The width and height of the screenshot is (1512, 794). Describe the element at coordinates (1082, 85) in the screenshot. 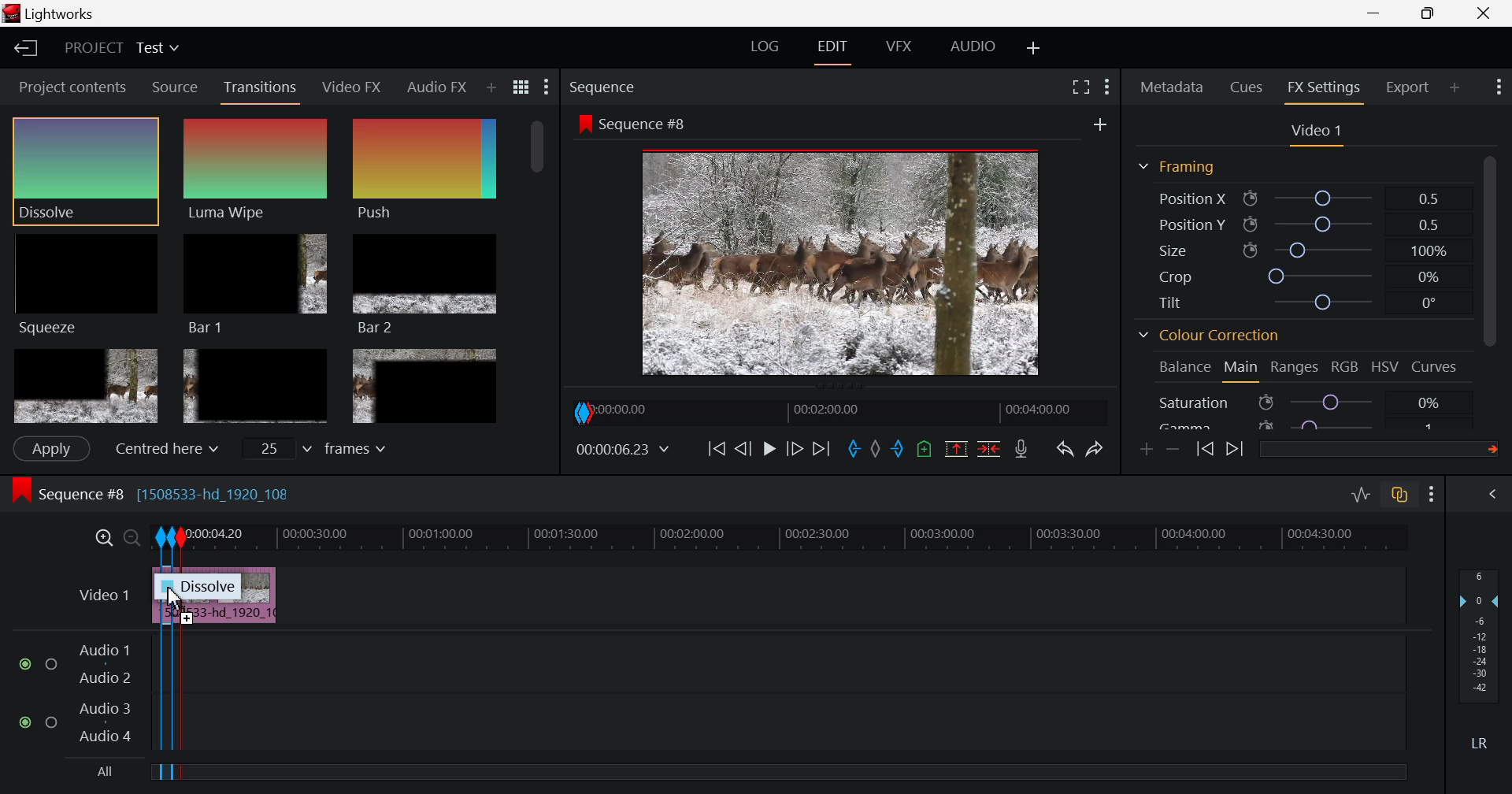

I see `Full Screen` at that location.